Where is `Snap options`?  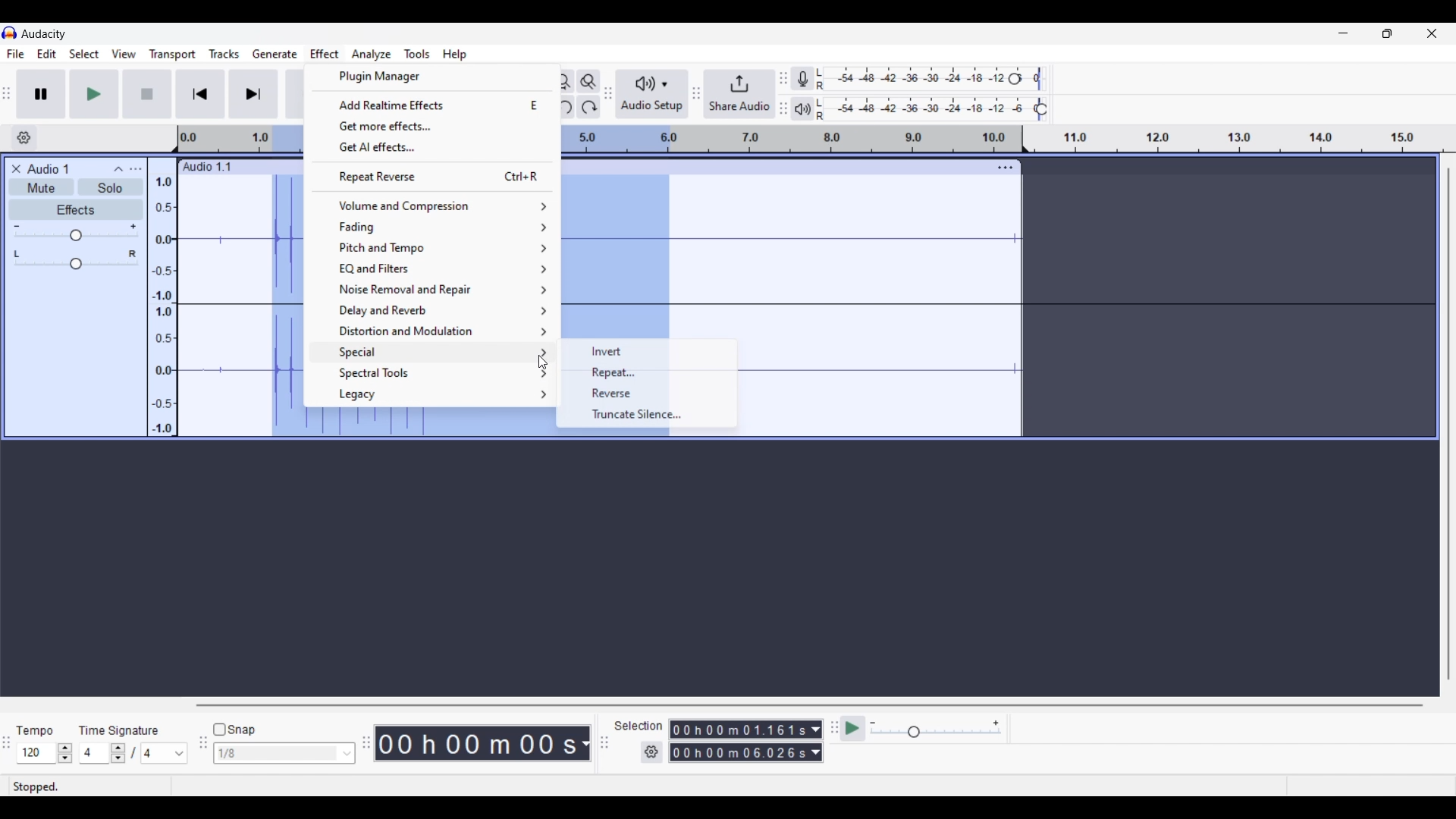
Snap options is located at coordinates (347, 754).